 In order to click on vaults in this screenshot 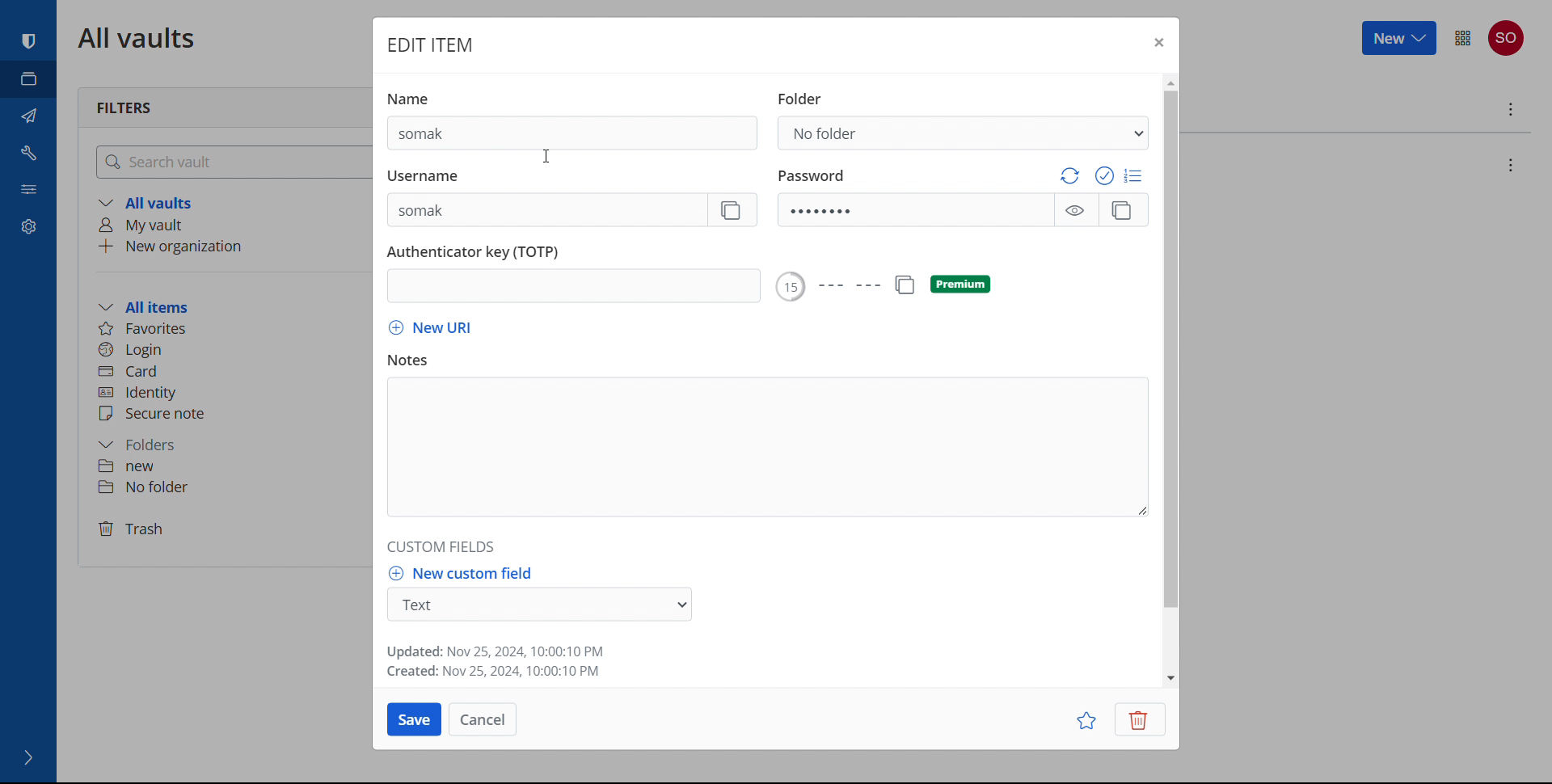, I will do `click(28, 79)`.